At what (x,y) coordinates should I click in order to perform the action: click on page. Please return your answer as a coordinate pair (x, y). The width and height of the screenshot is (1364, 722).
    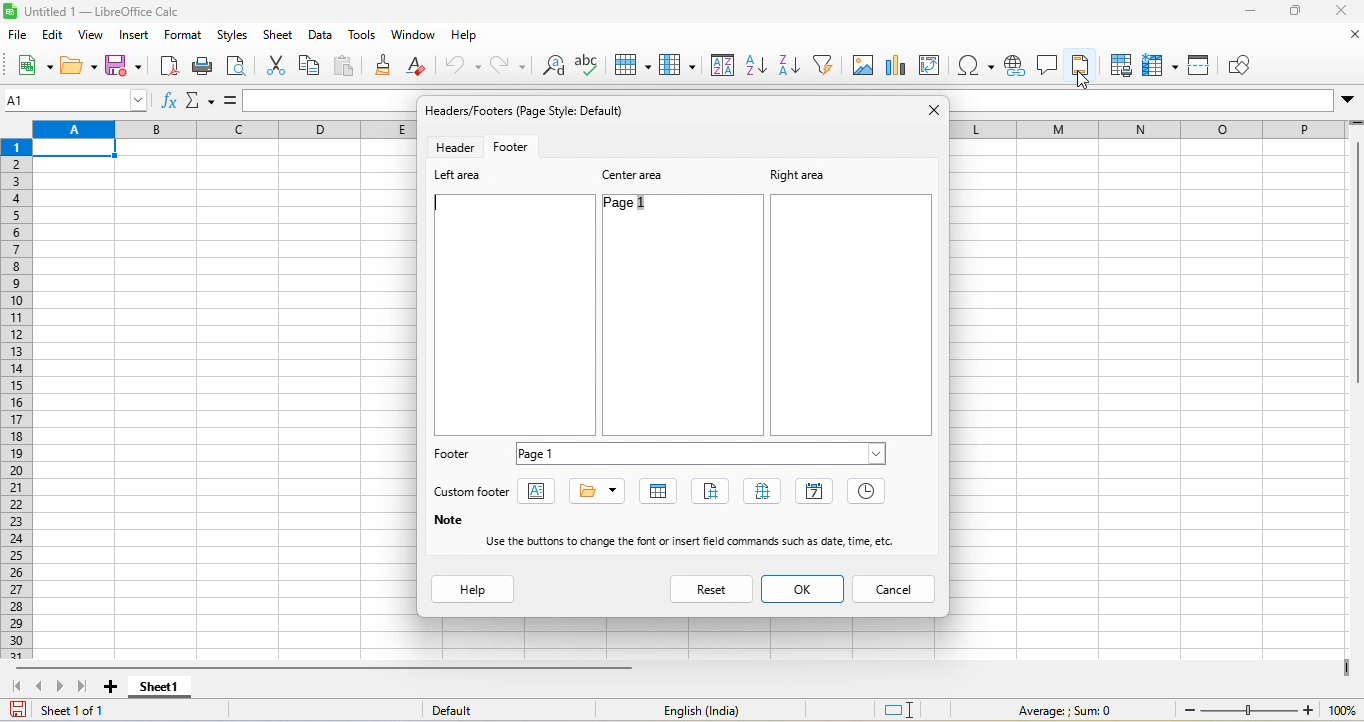
    Looking at the image, I should click on (715, 491).